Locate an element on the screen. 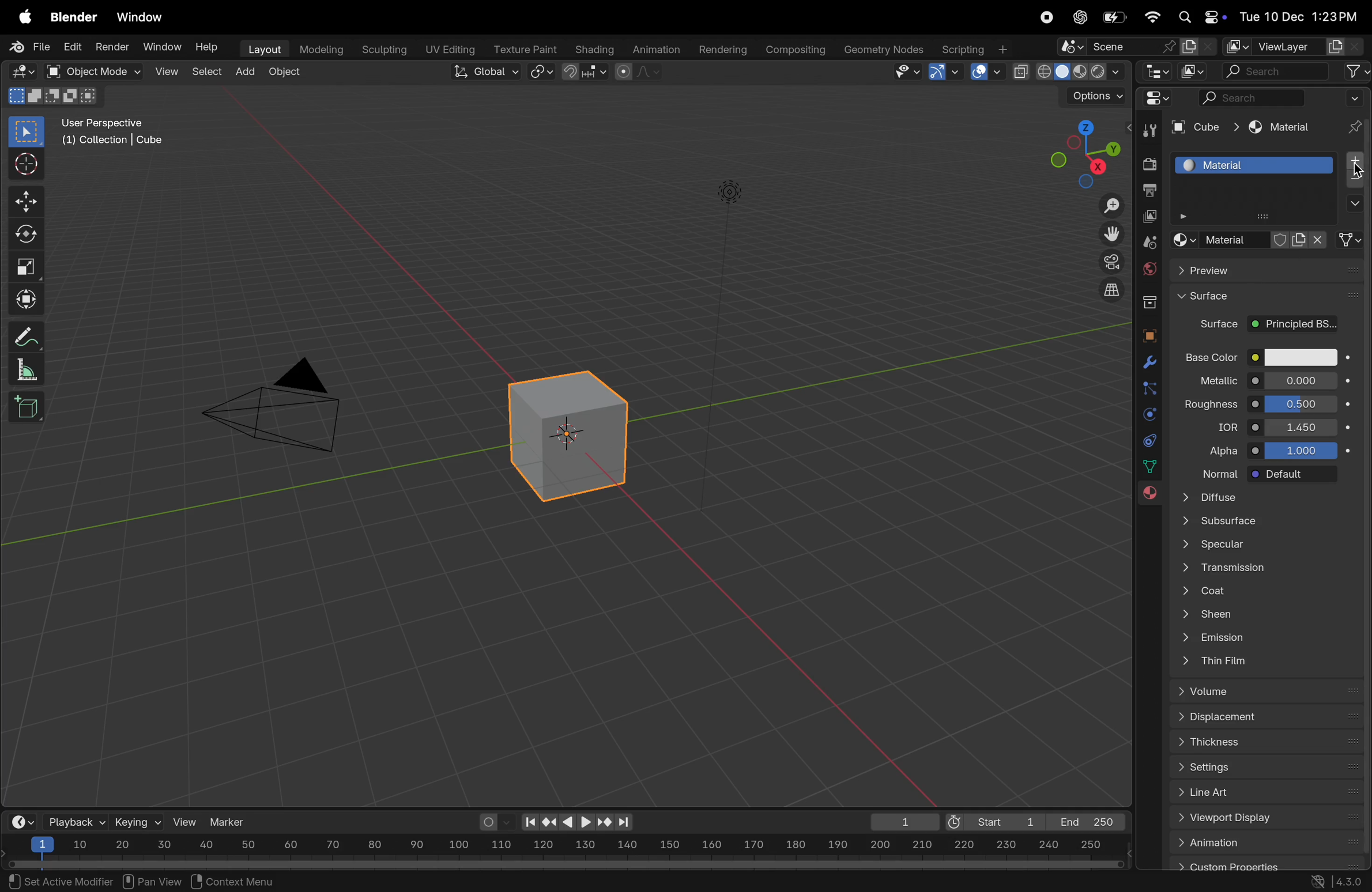  viewport shading is located at coordinates (1068, 69).